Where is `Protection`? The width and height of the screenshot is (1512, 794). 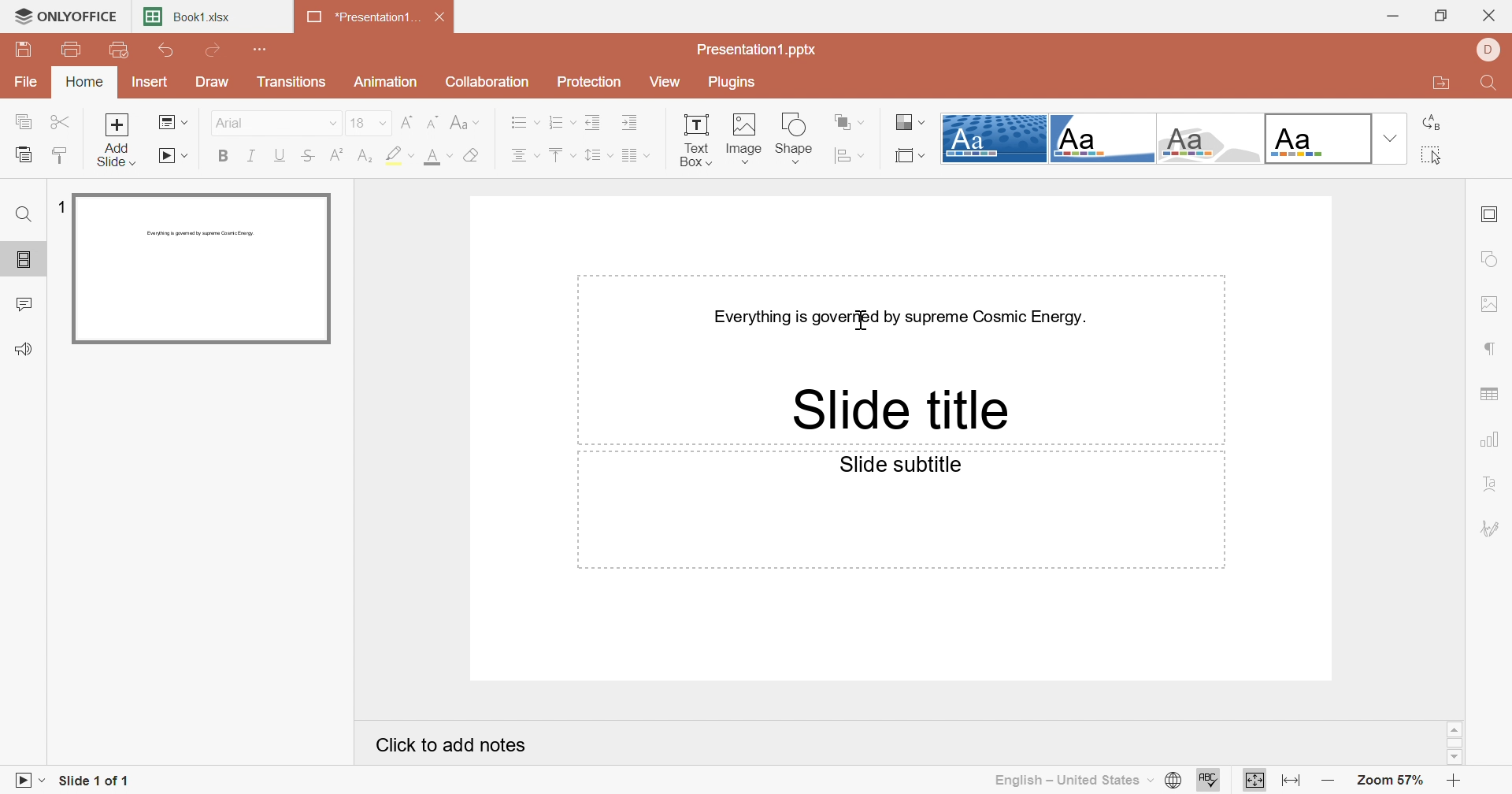
Protection is located at coordinates (589, 83).